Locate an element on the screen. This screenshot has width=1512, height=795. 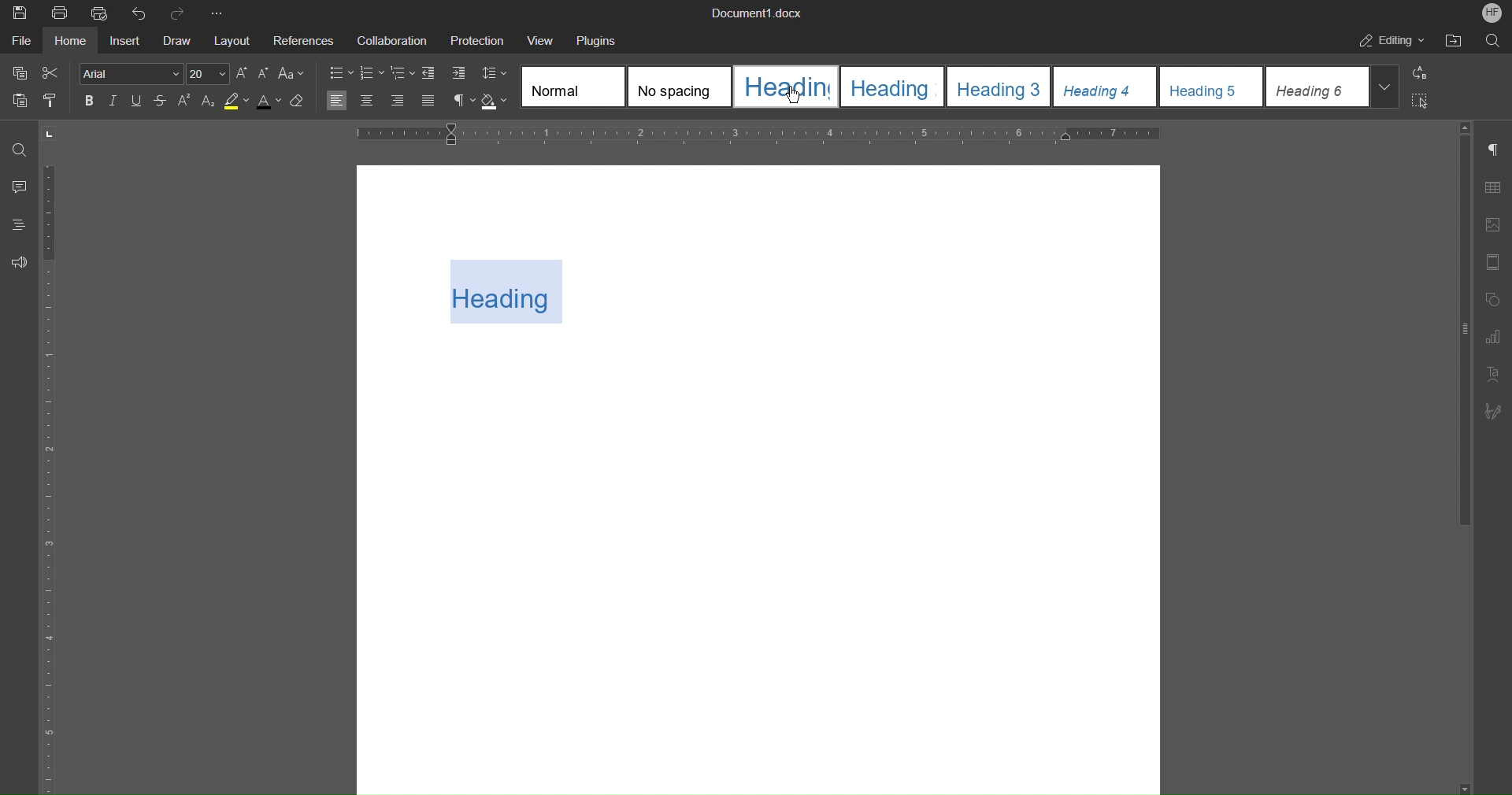
Vertical Ruler is located at coordinates (53, 476).